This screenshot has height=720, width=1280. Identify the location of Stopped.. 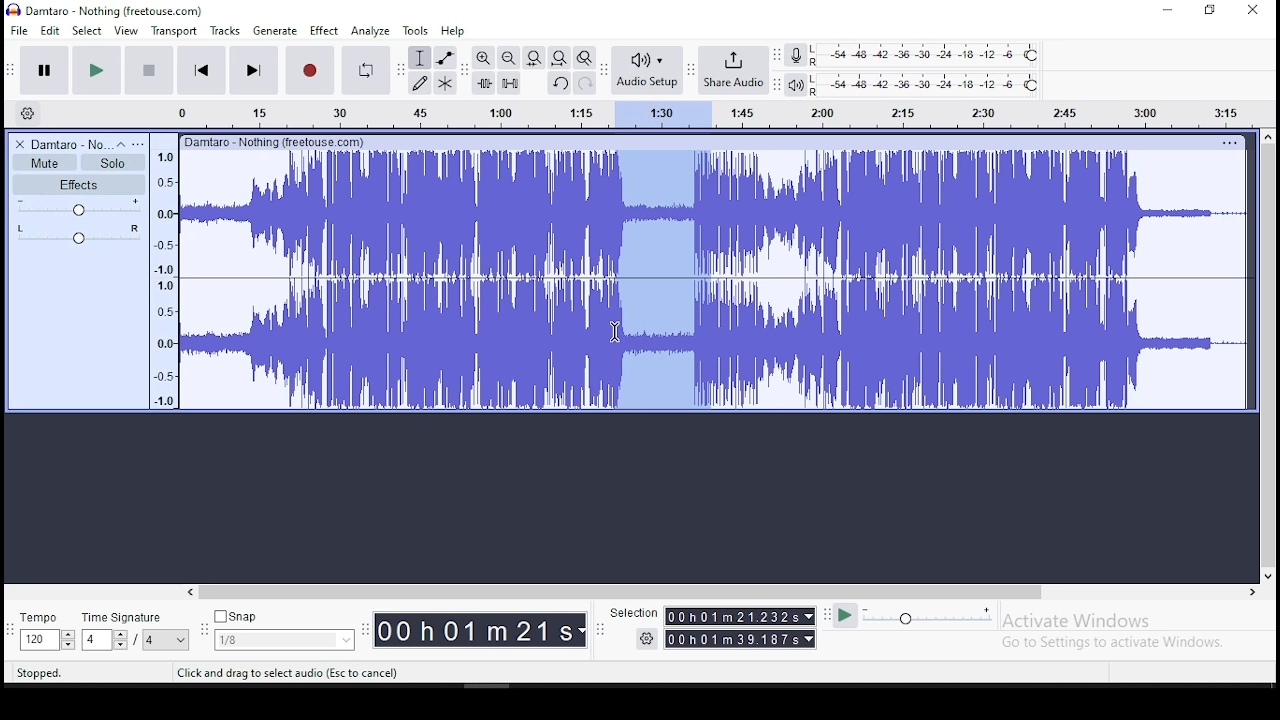
(38, 672).